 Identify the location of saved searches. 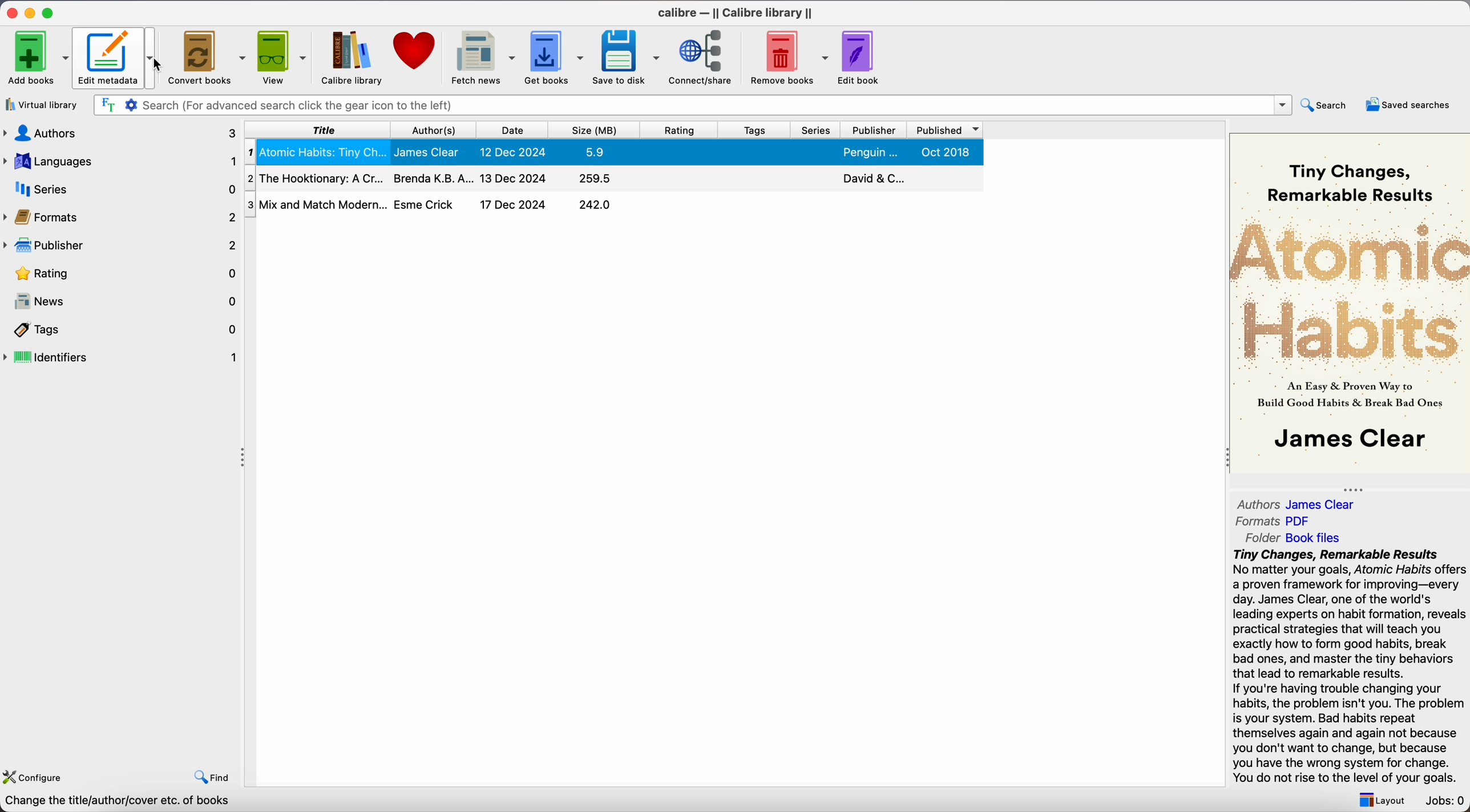
(1410, 106).